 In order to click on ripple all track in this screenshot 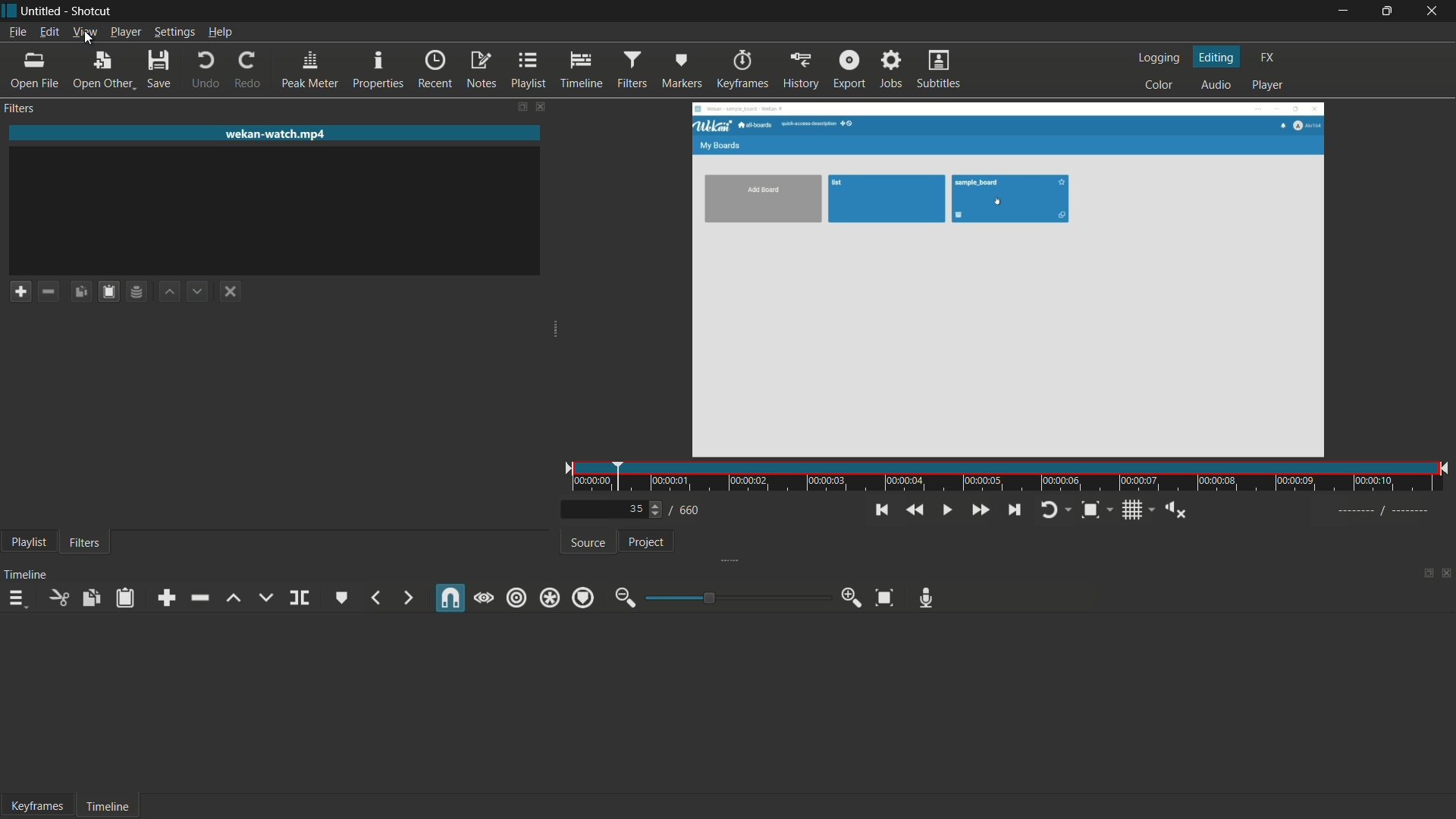, I will do `click(549, 598)`.